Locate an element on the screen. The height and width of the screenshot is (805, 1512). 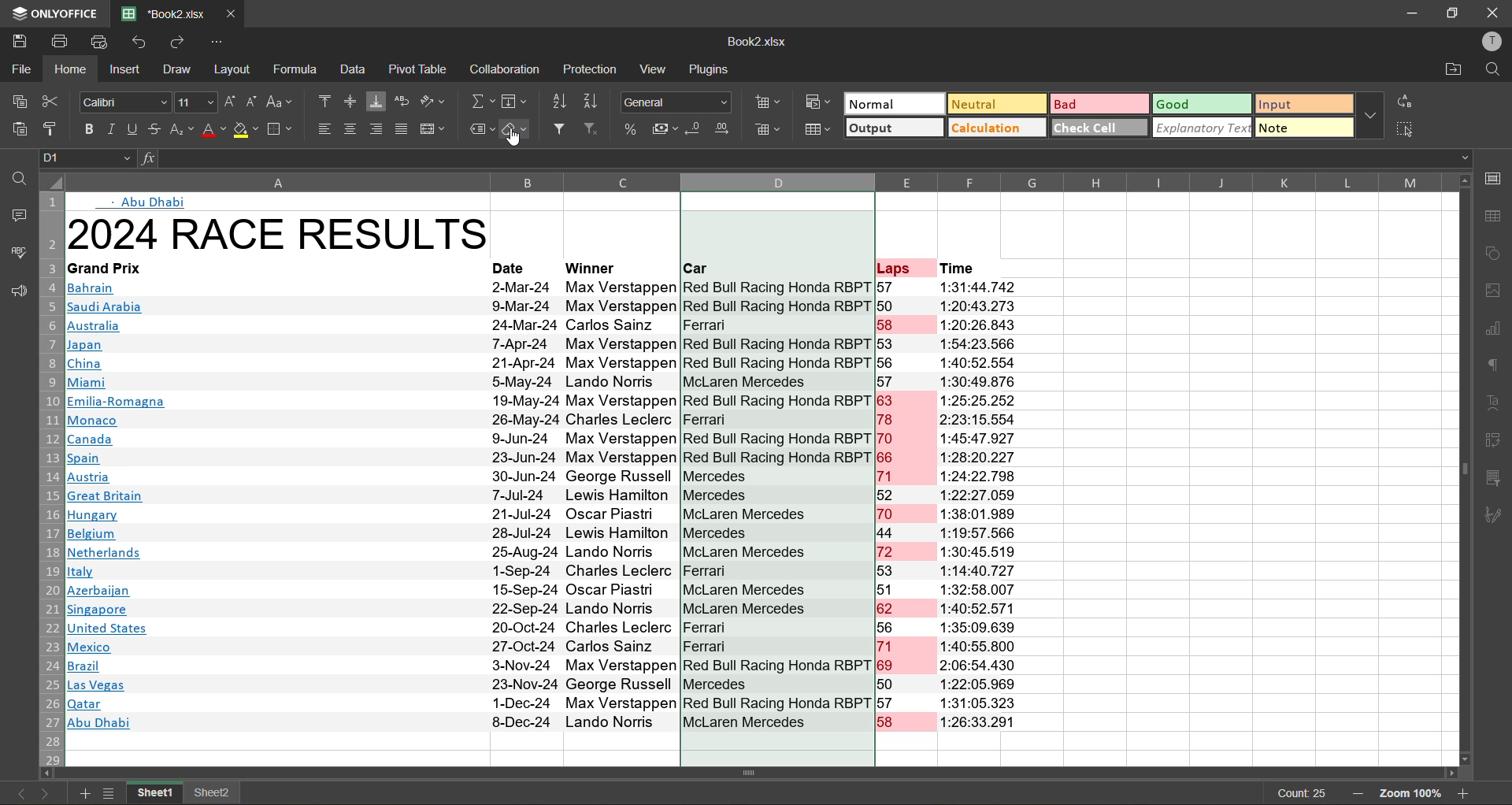
Calibri is located at coordinates (124, 101).